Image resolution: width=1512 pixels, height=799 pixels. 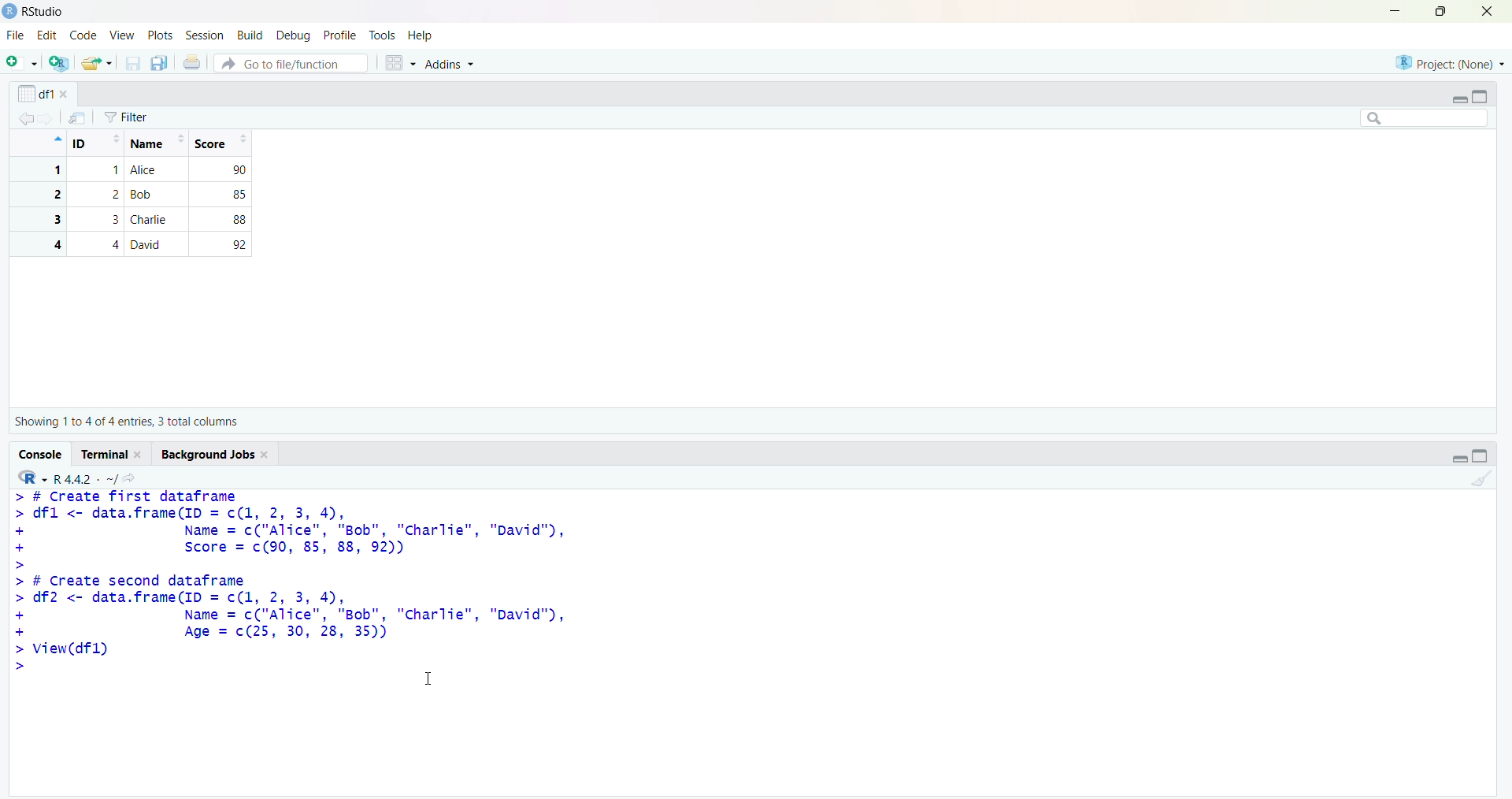 I want to click on add R file, so click(x=60, y=63).